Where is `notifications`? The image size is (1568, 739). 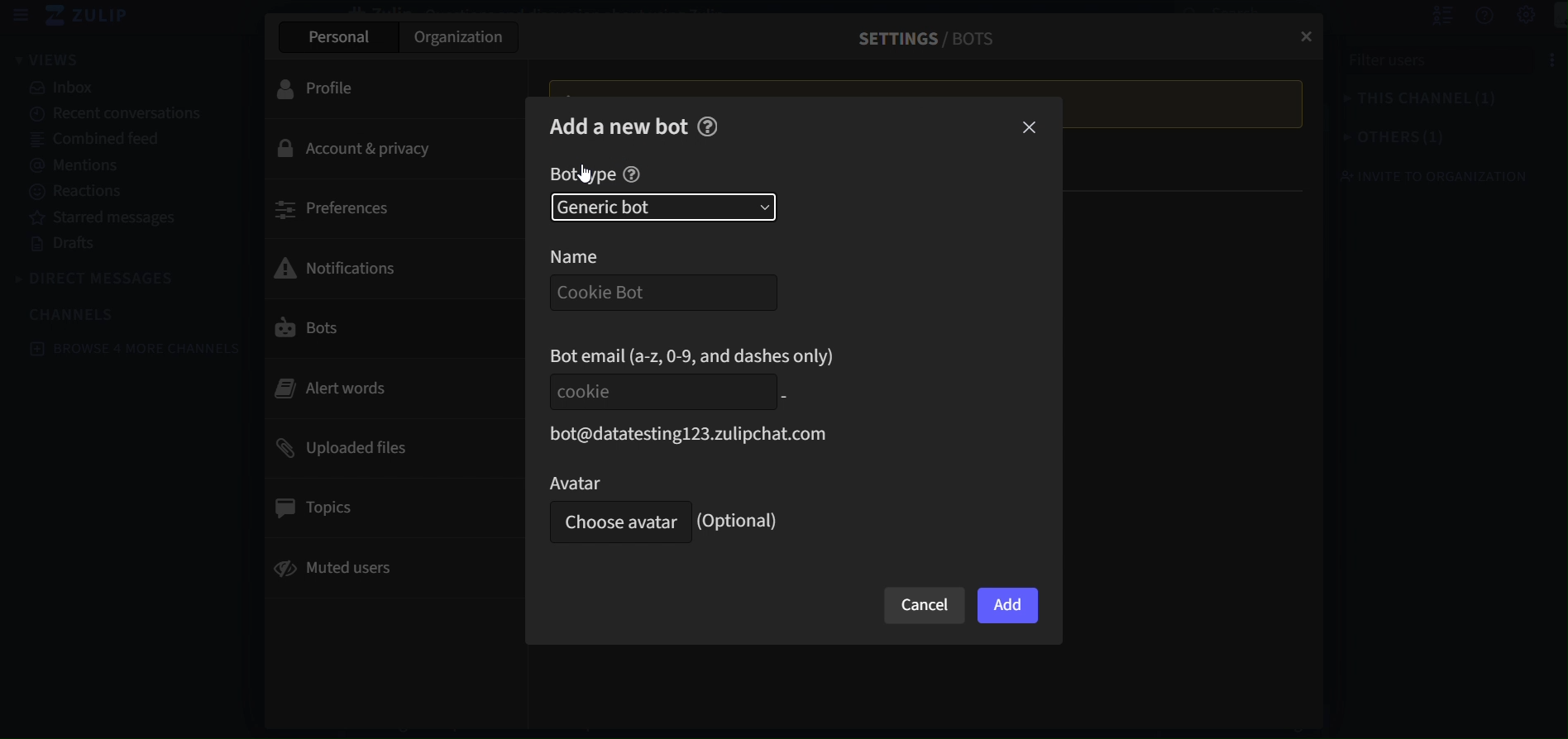 notifications is located at coordinates (377, 266).